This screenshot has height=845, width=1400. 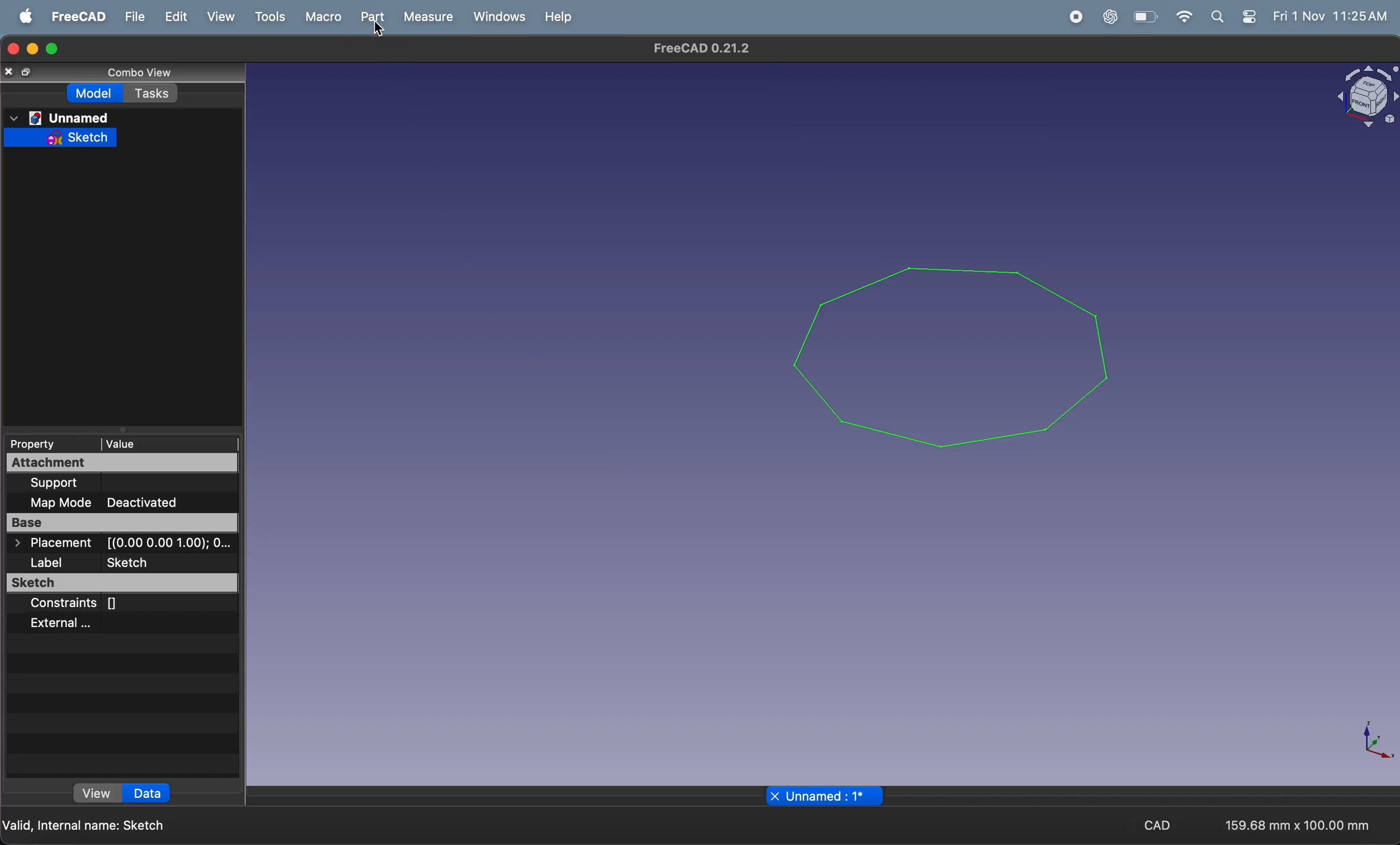 I want to click on windows, so click(x=497, y=18).